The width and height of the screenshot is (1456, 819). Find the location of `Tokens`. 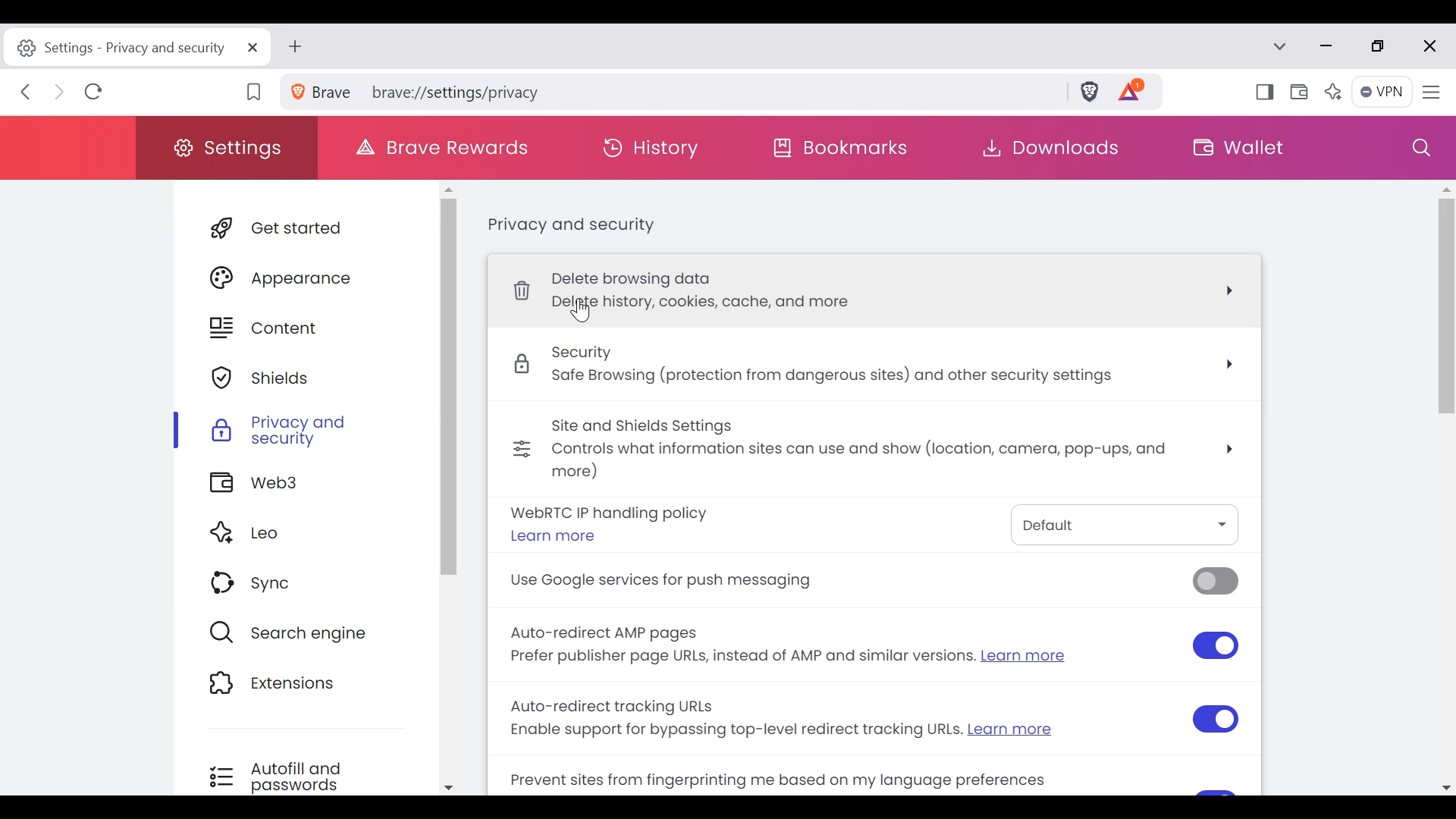

Tokens is located at coordinates (1140, 93).